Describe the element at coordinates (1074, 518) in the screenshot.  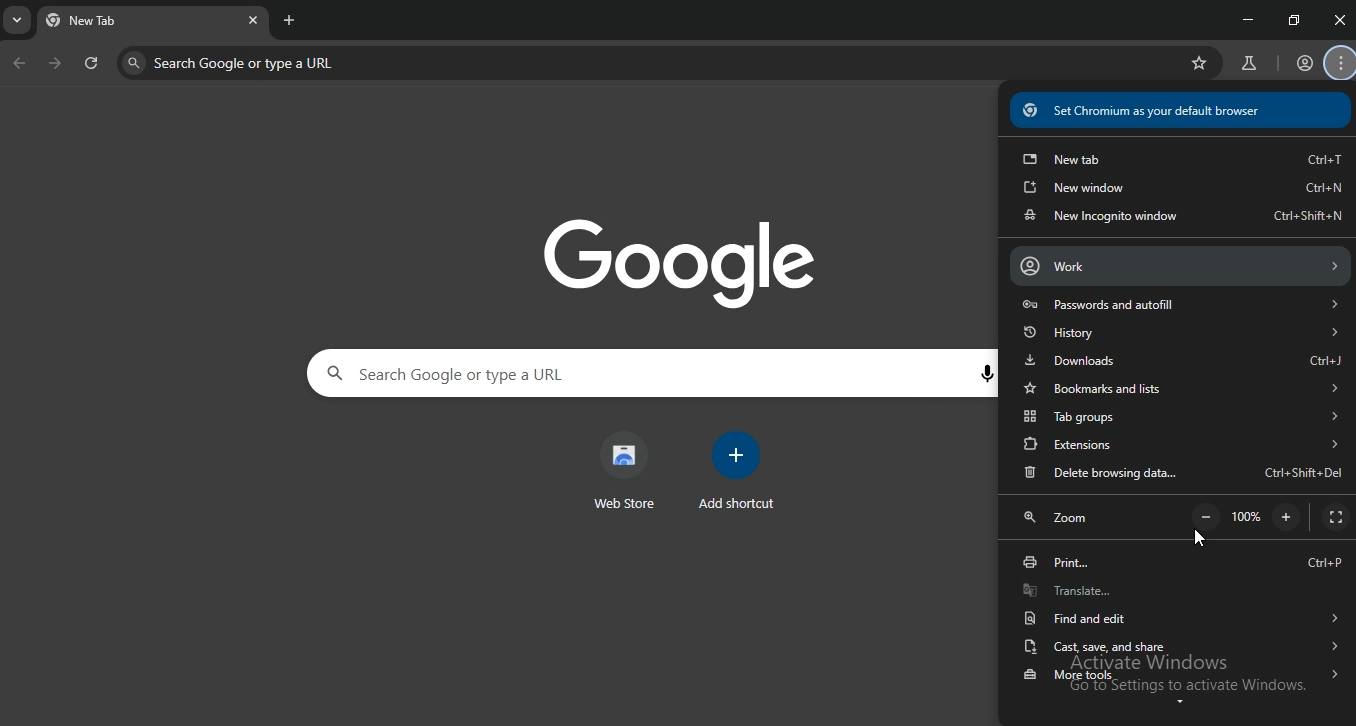
I see `zoom` at that location.